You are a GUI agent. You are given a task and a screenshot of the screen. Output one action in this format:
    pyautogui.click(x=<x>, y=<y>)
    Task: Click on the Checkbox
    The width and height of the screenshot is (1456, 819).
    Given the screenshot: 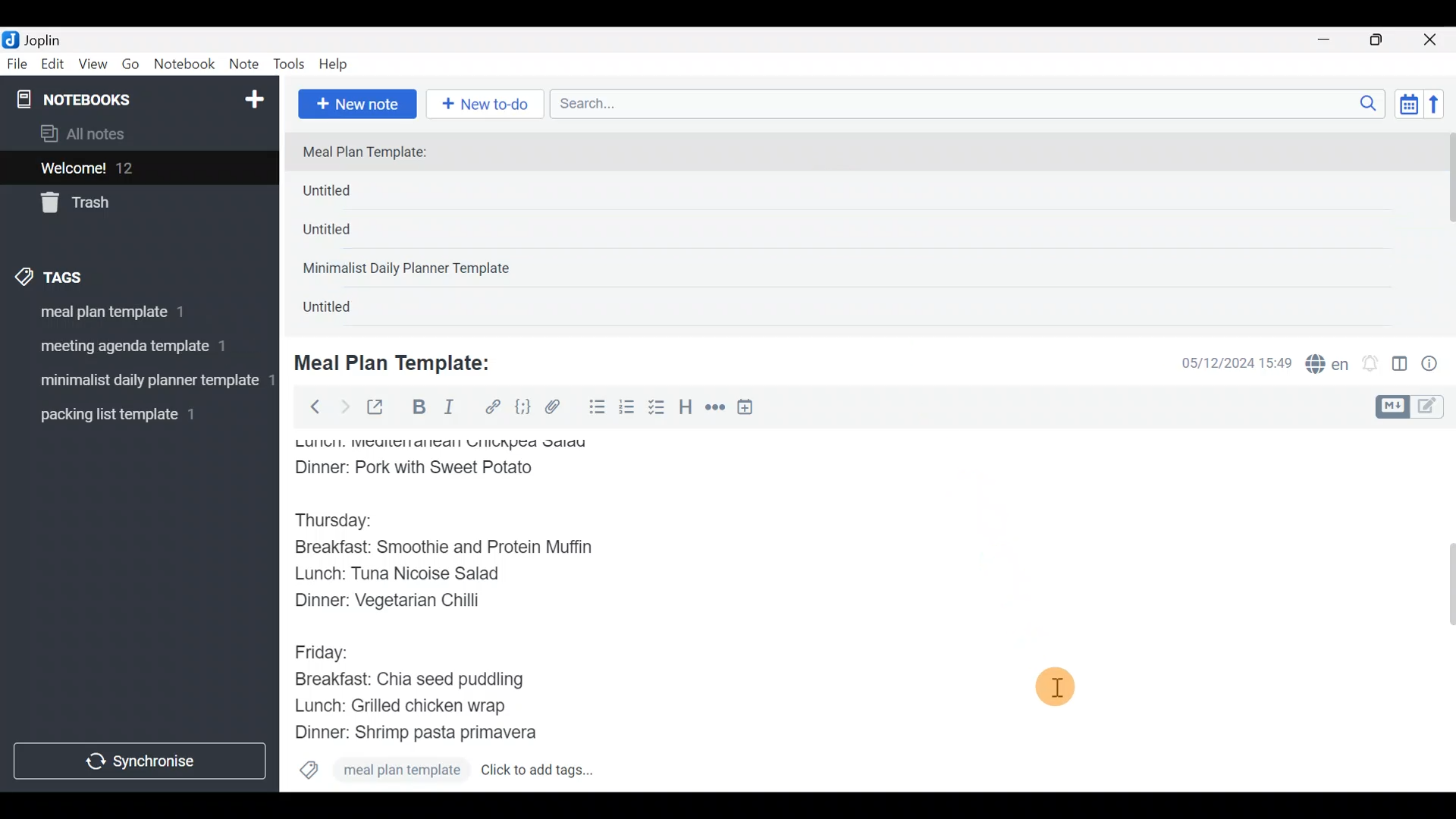 What is the action you would take?
    pyautogui.click(x=658, y=409)
    